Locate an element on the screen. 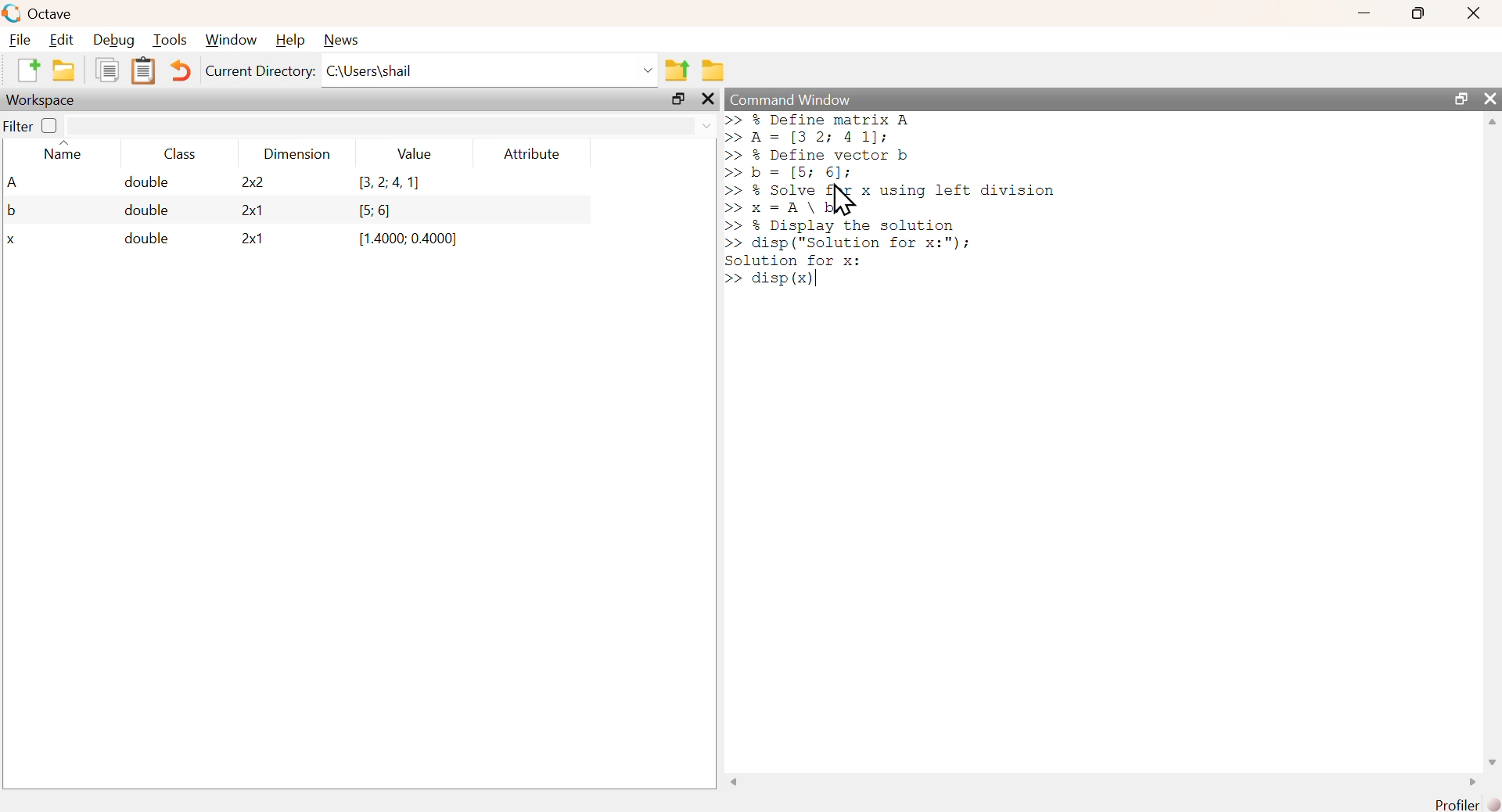 The height and width of the screenshot is (812, 1502). close is located at coordinates (1490, 98).